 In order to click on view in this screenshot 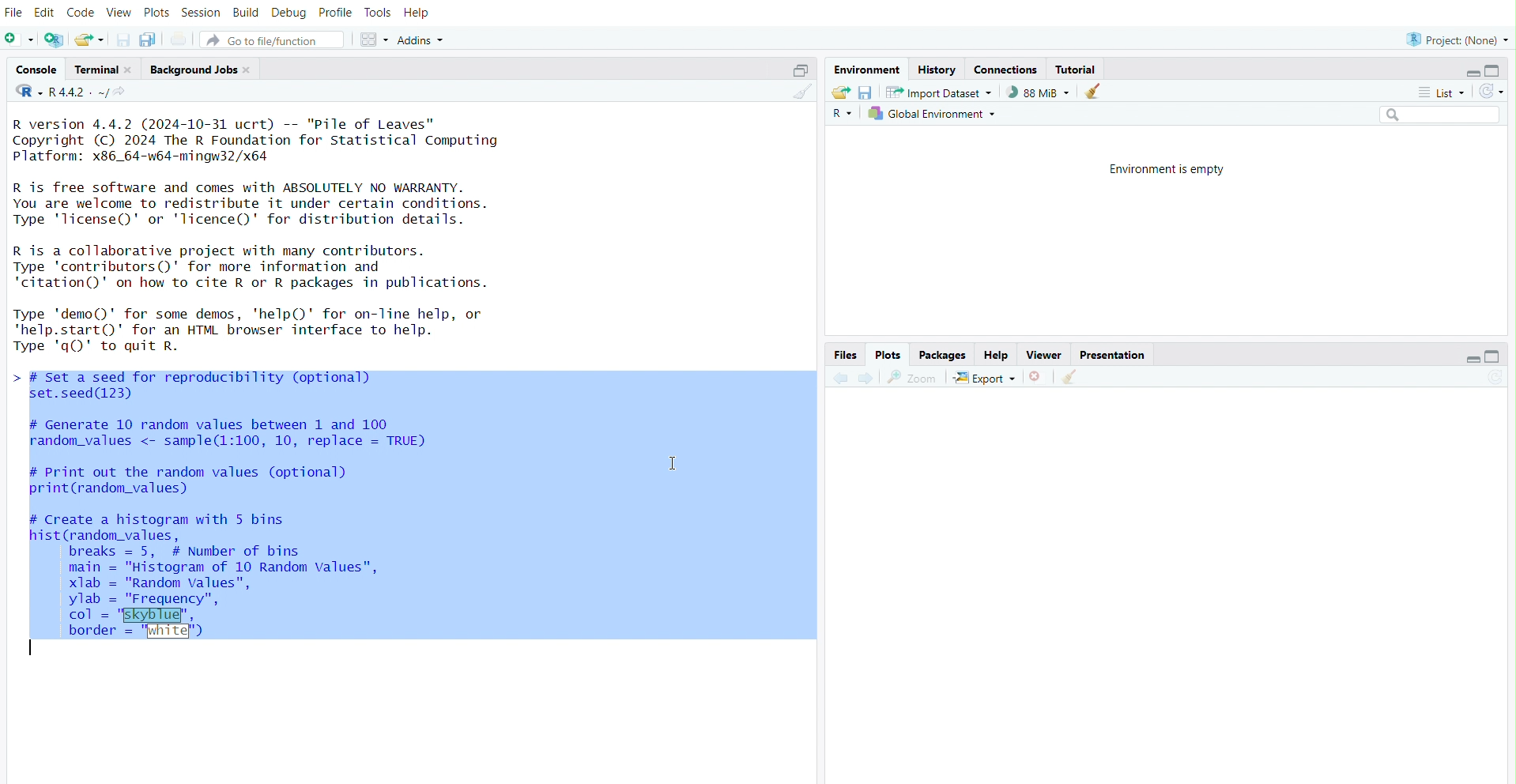, I will do `click(119, 9)`.